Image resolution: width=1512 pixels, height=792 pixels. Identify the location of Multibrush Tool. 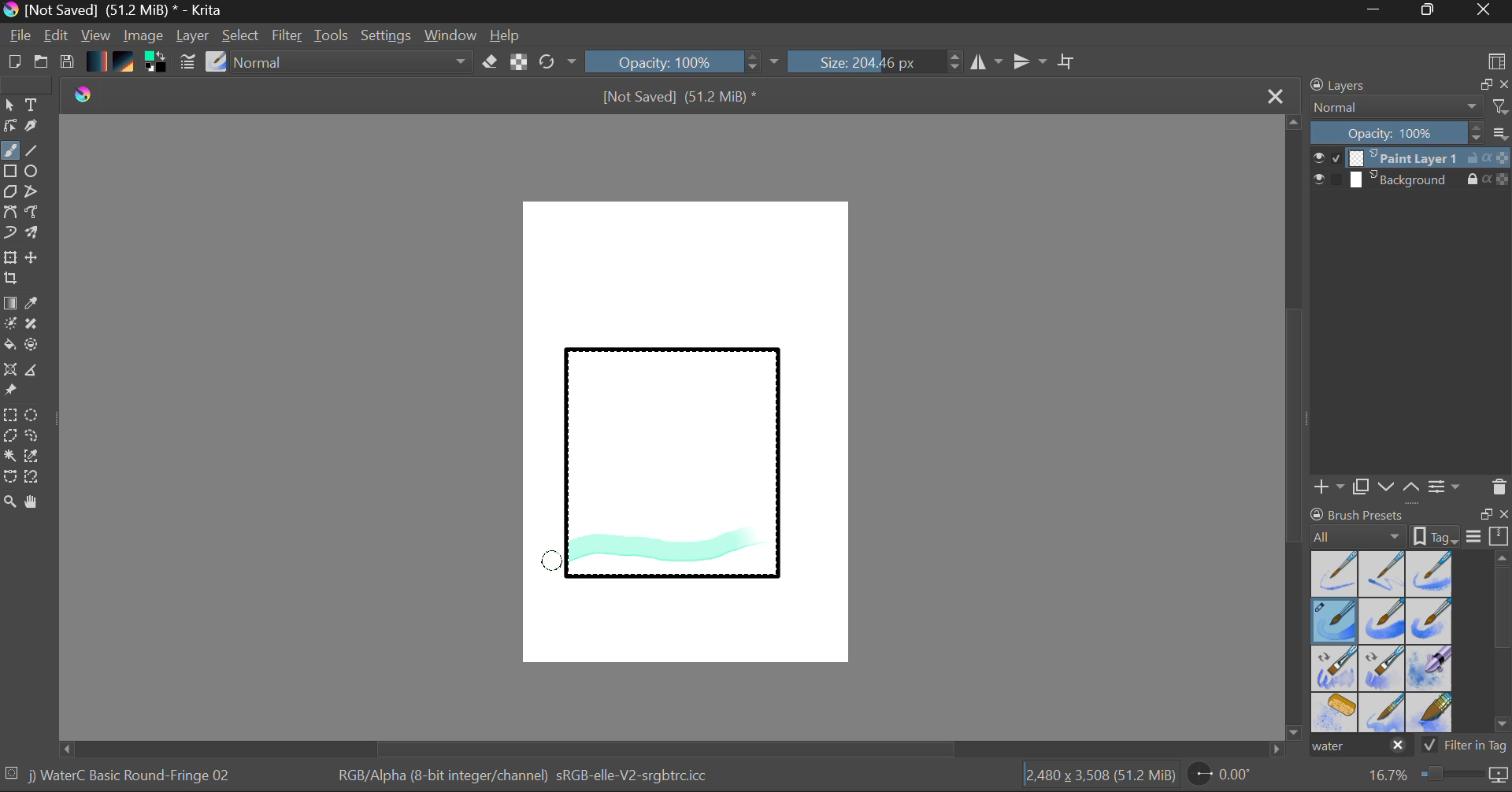
(33, 235).